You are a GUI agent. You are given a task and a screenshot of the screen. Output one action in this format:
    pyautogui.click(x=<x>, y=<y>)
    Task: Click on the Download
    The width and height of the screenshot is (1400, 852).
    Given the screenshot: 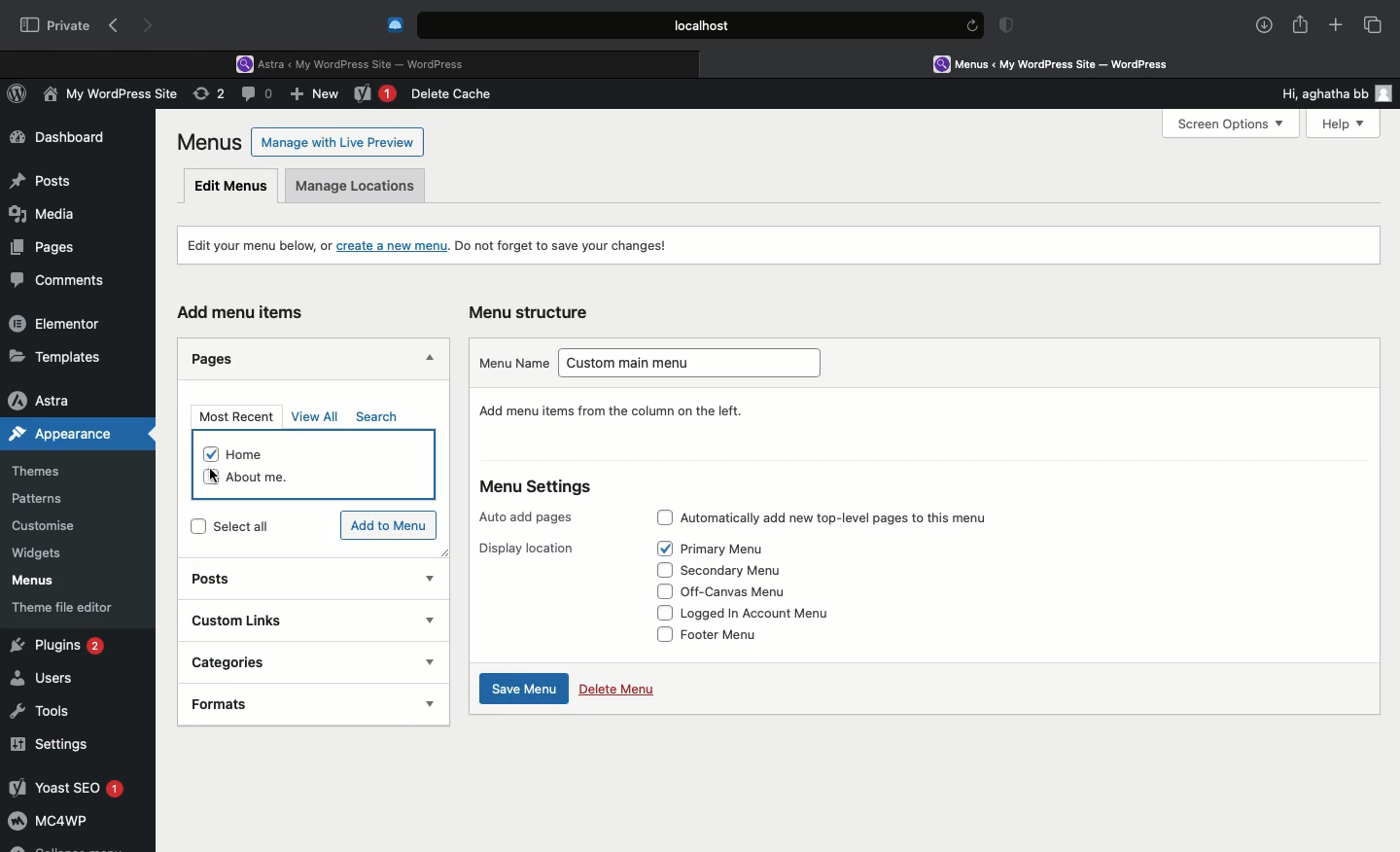 What is the action you would take?
    pyautogui.click(x=1265, y=25)
    